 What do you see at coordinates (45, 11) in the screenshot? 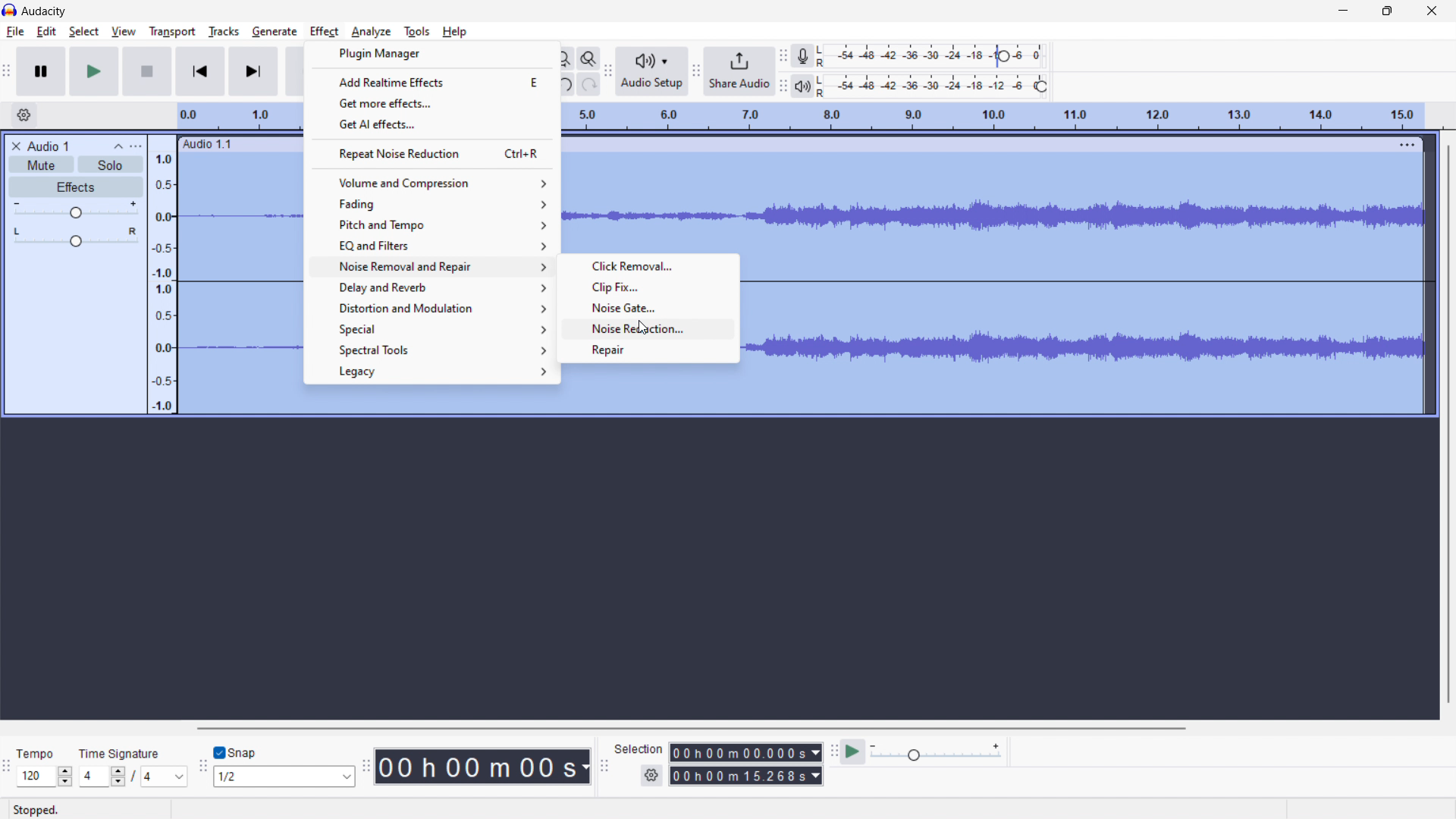
I see `title` at bounding box center [45, 11].